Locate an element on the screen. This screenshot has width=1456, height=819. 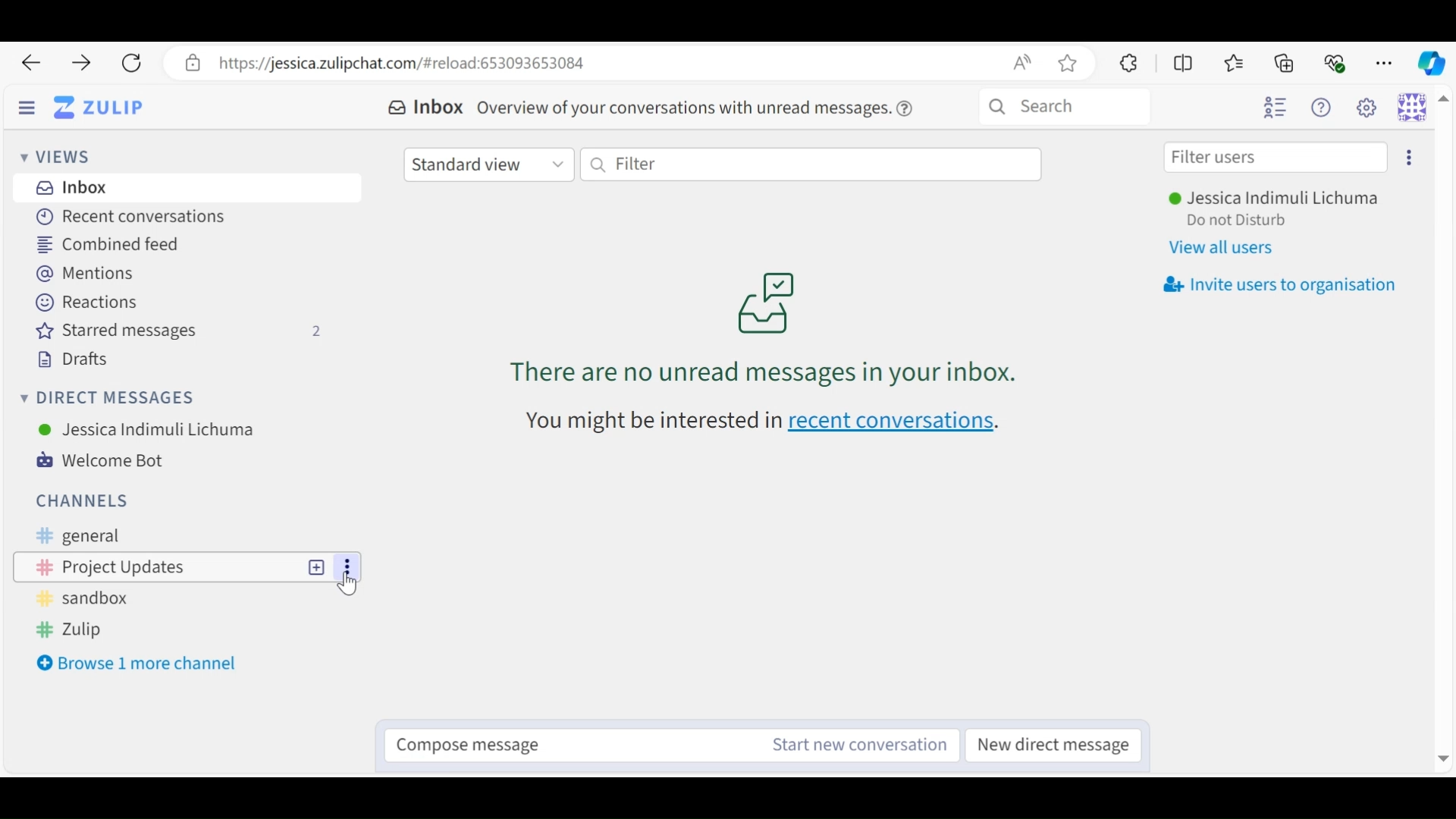
Main menu is located at coordinates (1370, 108).